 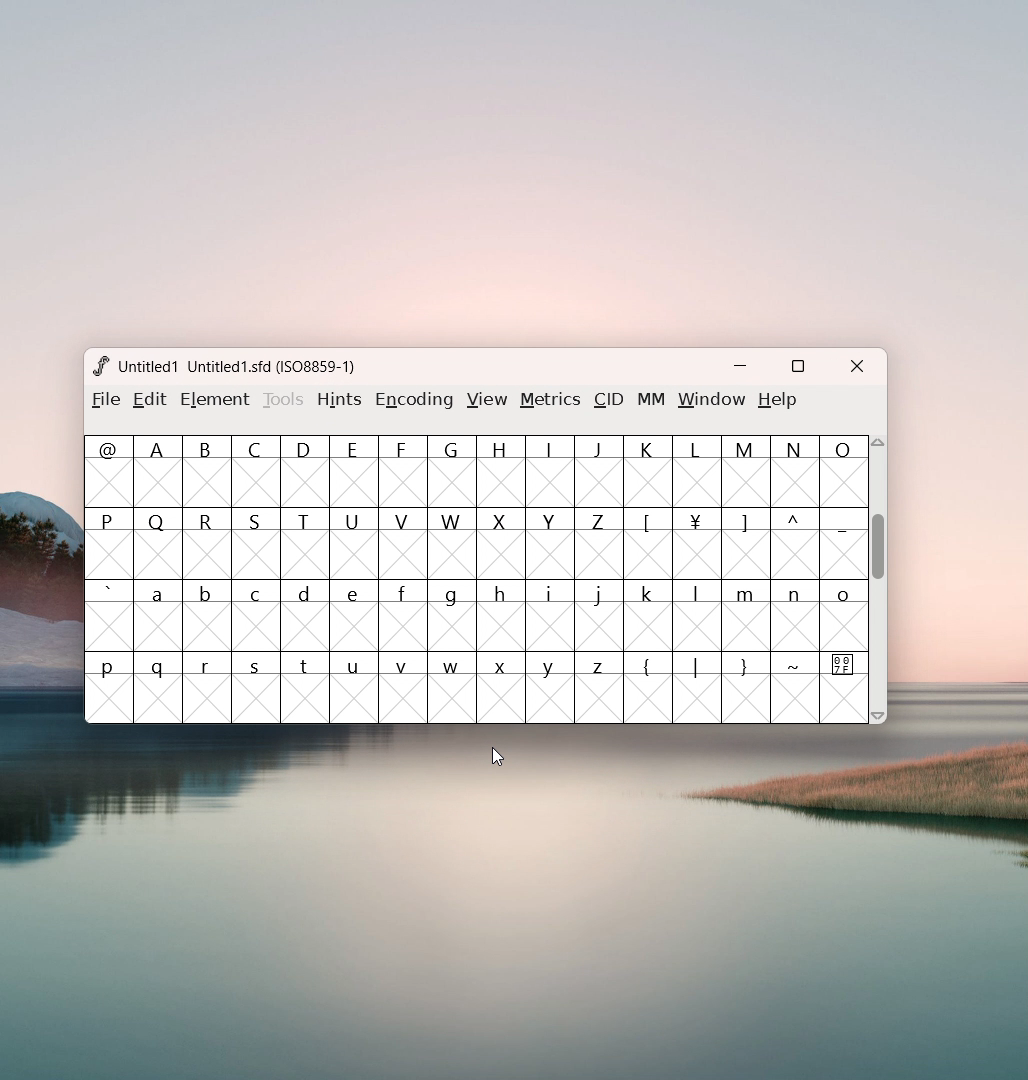 I want to click on logo, so click(x=99, y=366).